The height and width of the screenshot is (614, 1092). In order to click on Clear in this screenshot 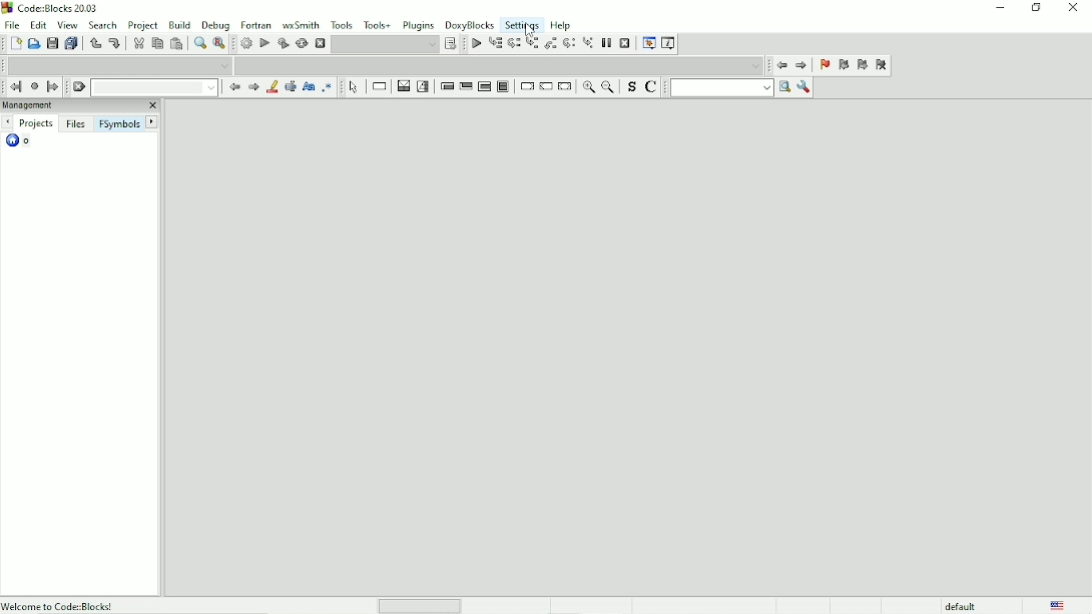, I will do `click(79, 88)`.